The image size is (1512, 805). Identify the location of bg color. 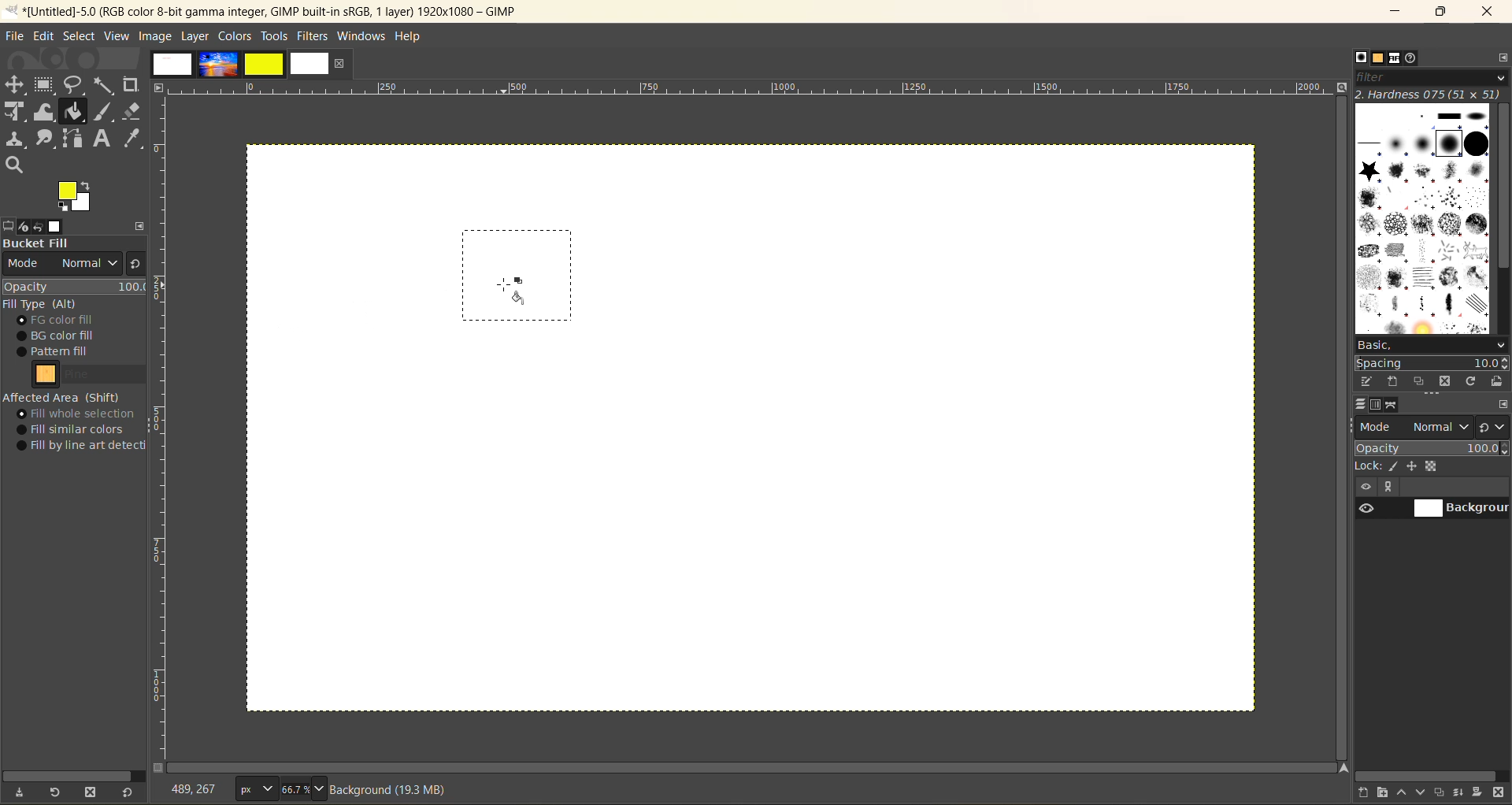
(65, 335).